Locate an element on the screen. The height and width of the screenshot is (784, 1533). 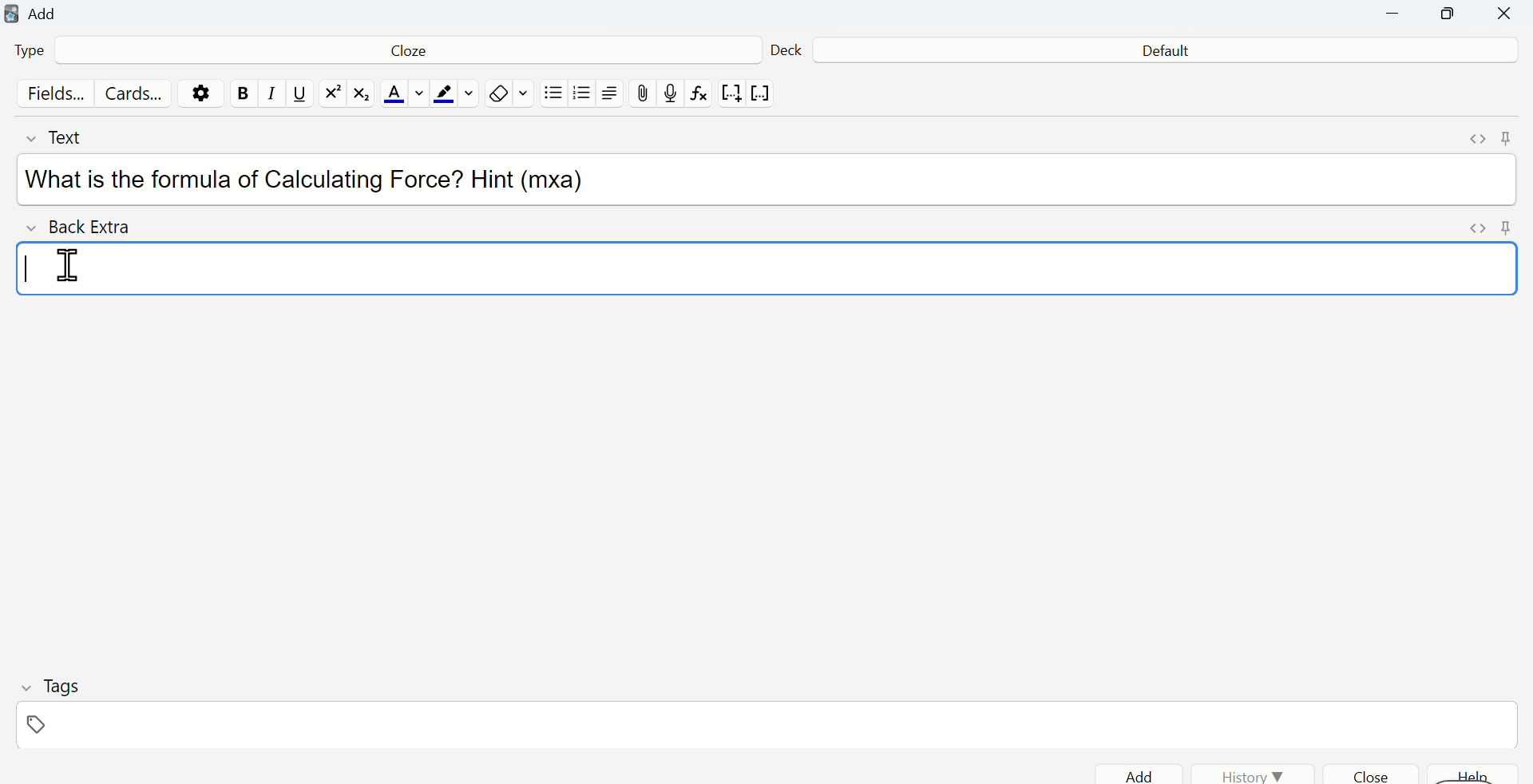
Minimize is located at coordinates (1401, 17).